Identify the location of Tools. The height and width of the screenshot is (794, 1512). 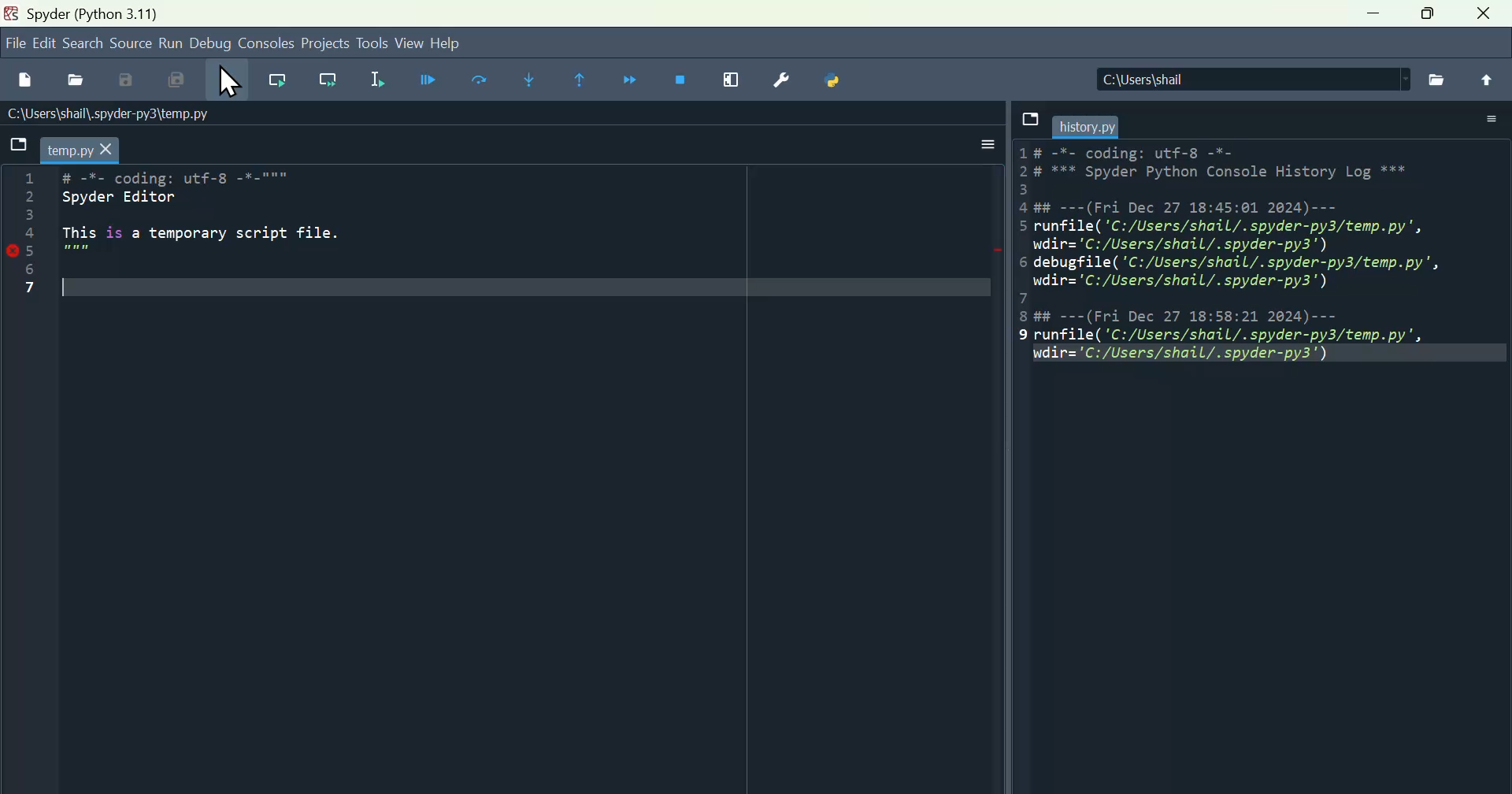
(376, 39).